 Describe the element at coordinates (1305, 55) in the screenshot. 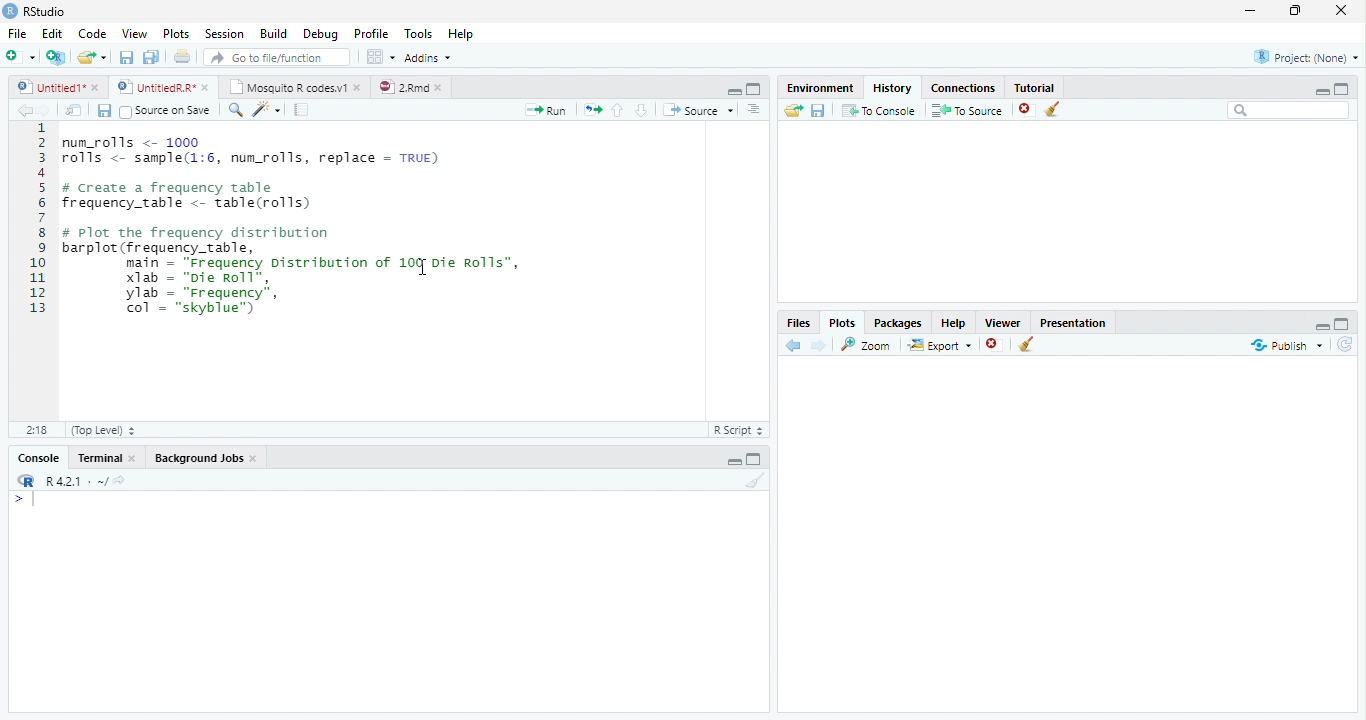

I see `Project: (None)` at that location.